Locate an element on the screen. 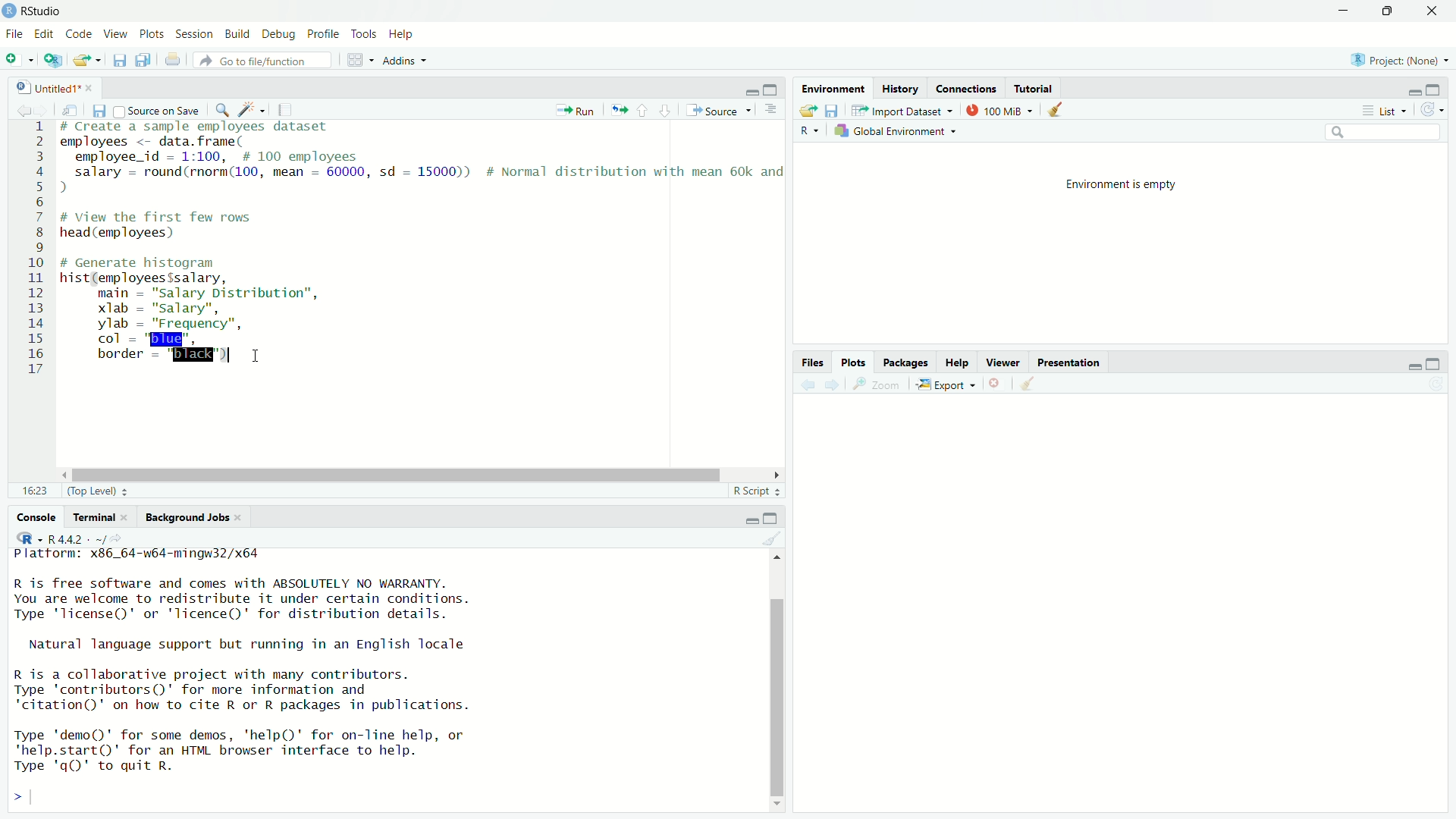 The image size is (1456, 819). 1 2 3 4 5 6 7 8 9 10 11 12 13 14 15 16 17 is located at coordinates (39, 250).